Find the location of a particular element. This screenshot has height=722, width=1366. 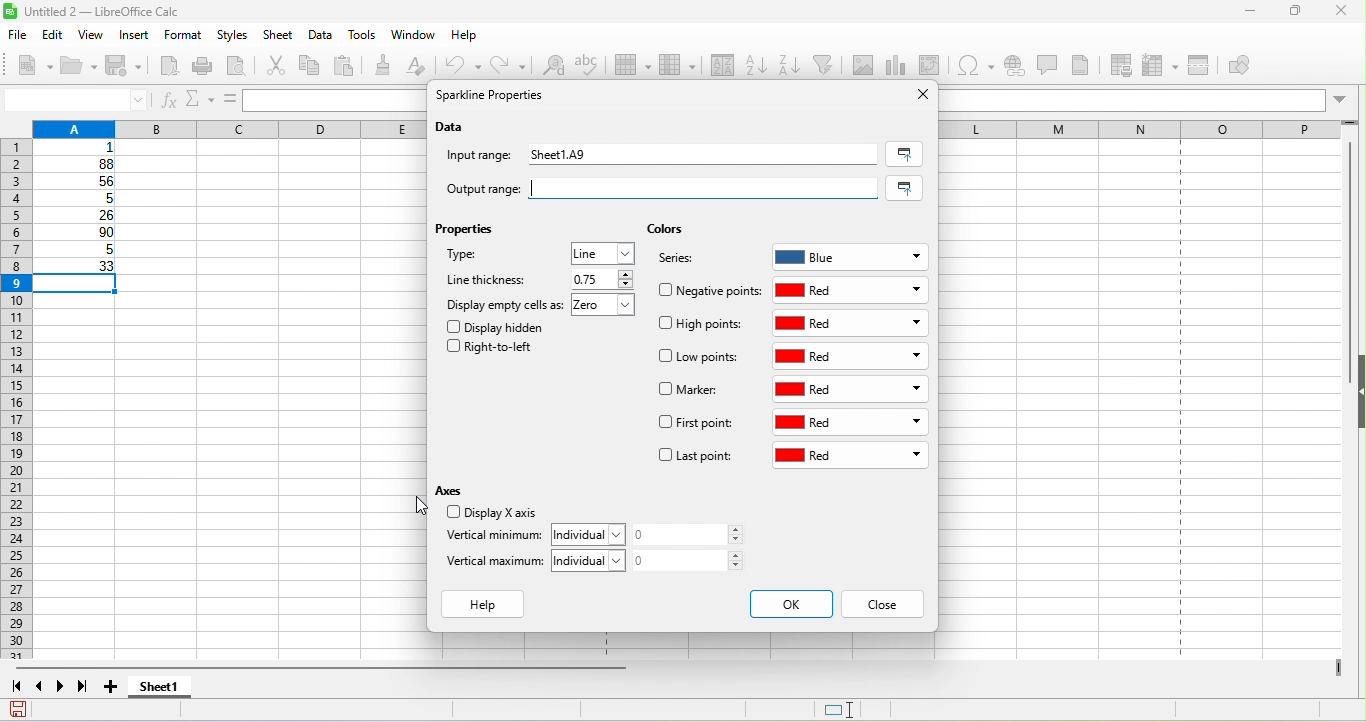

close is located at coordinates (883, 605).